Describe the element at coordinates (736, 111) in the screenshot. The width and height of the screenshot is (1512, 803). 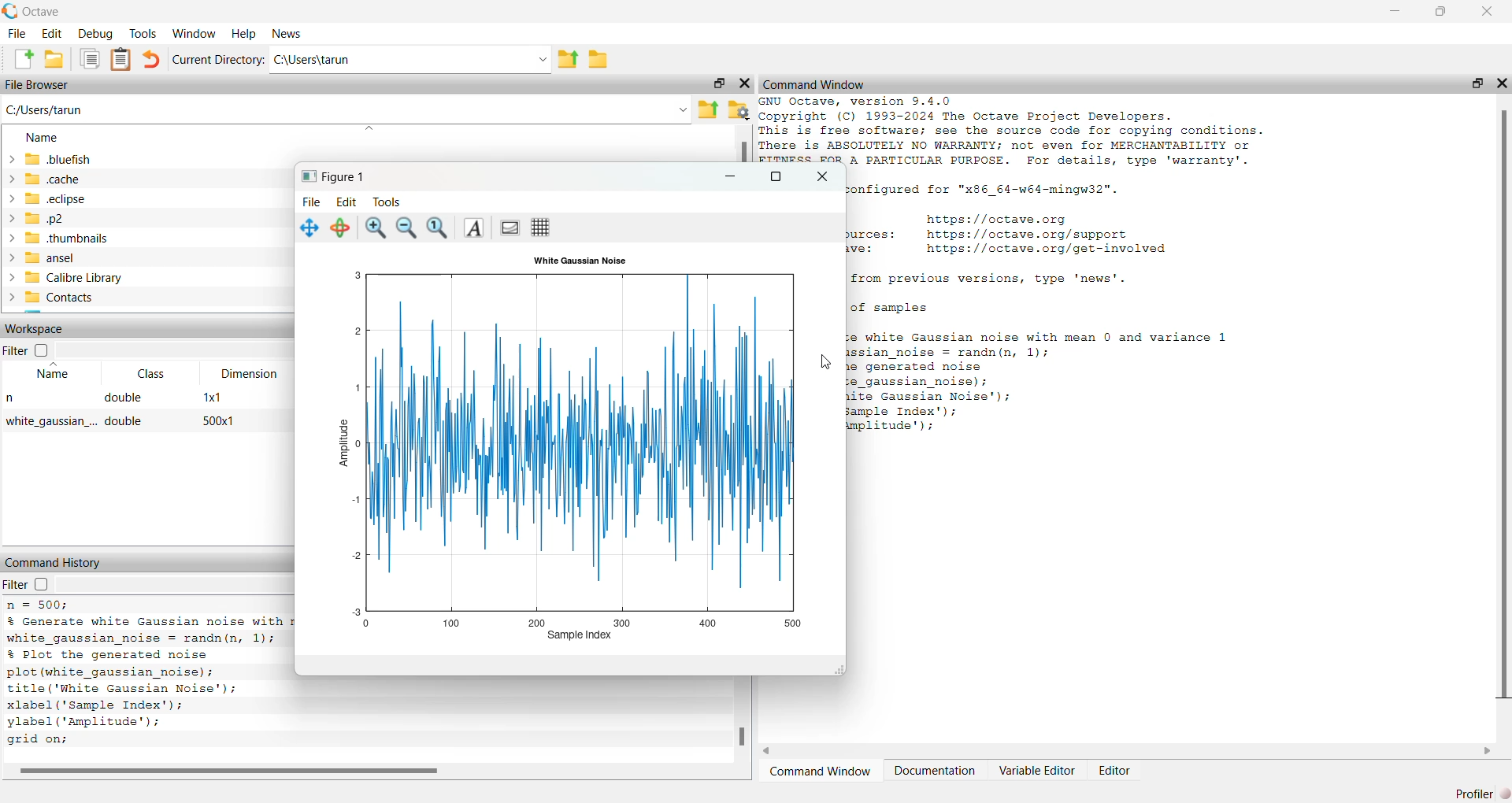
I see `folder settings` at that location.